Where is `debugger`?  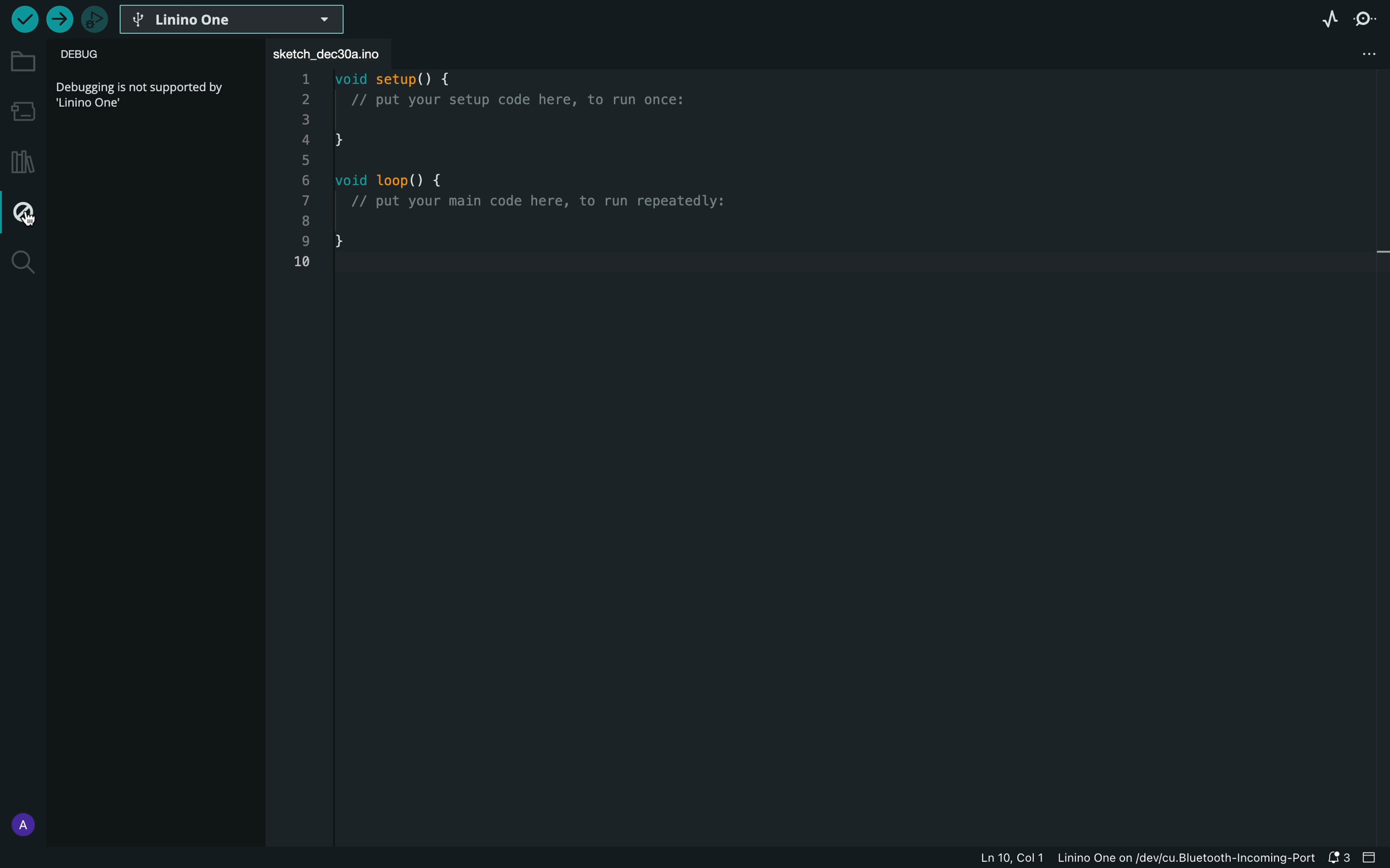
debugger is located at coordinates (95, 18).